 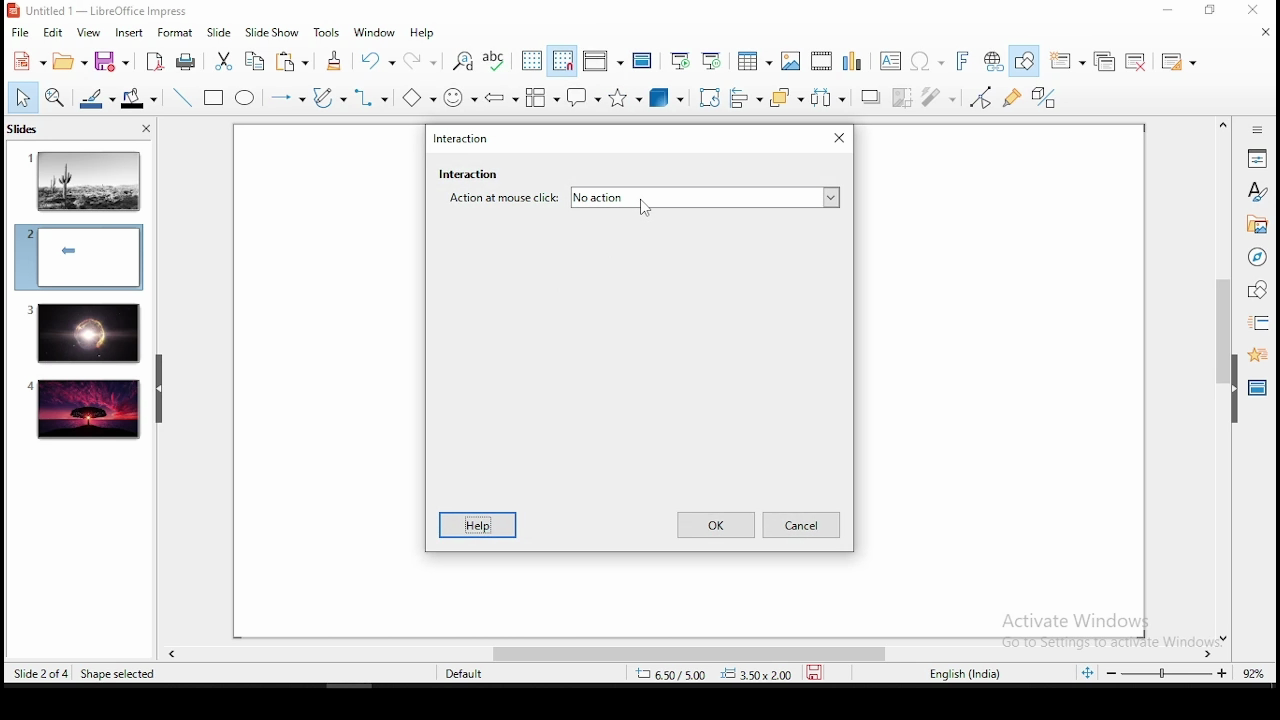 What do you see at coordinates (375, 31) in the screenshot?
I see `window` at bounding box center [375, 31].